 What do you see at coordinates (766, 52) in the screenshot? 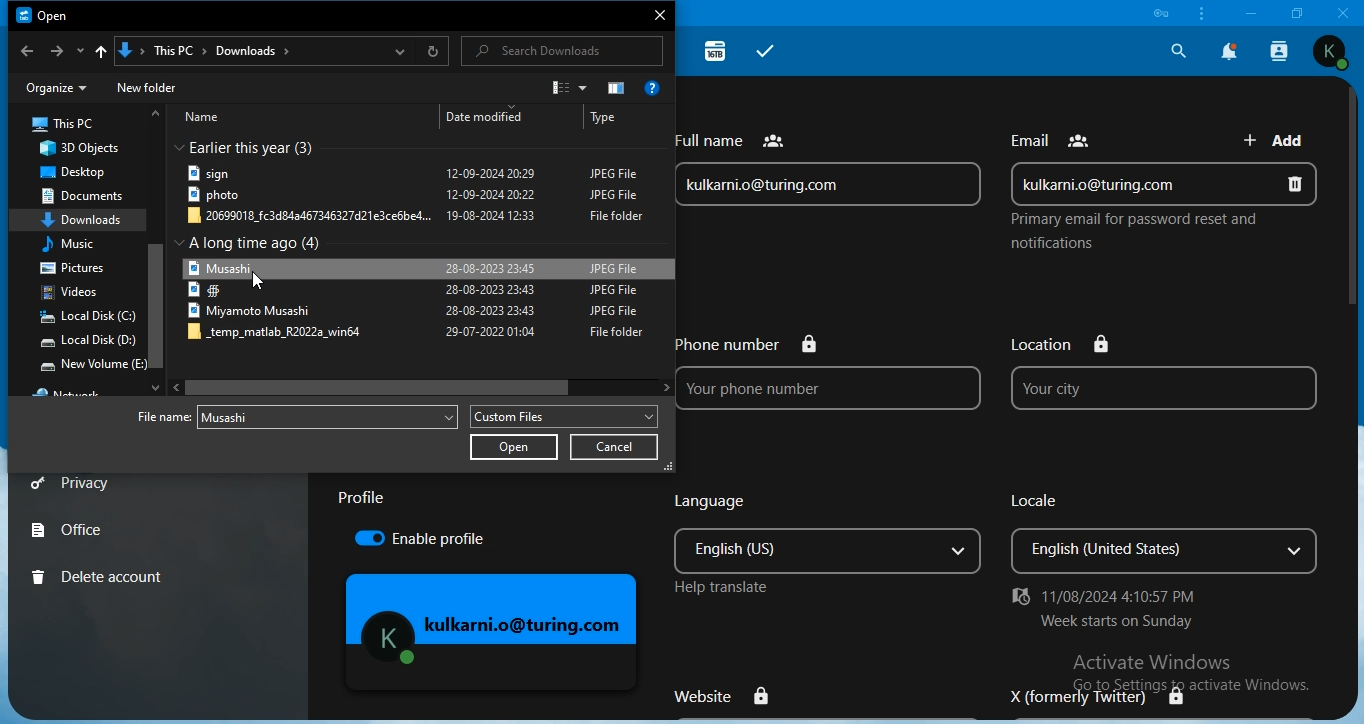
I see `tasks` at bounding box center [766, 52].